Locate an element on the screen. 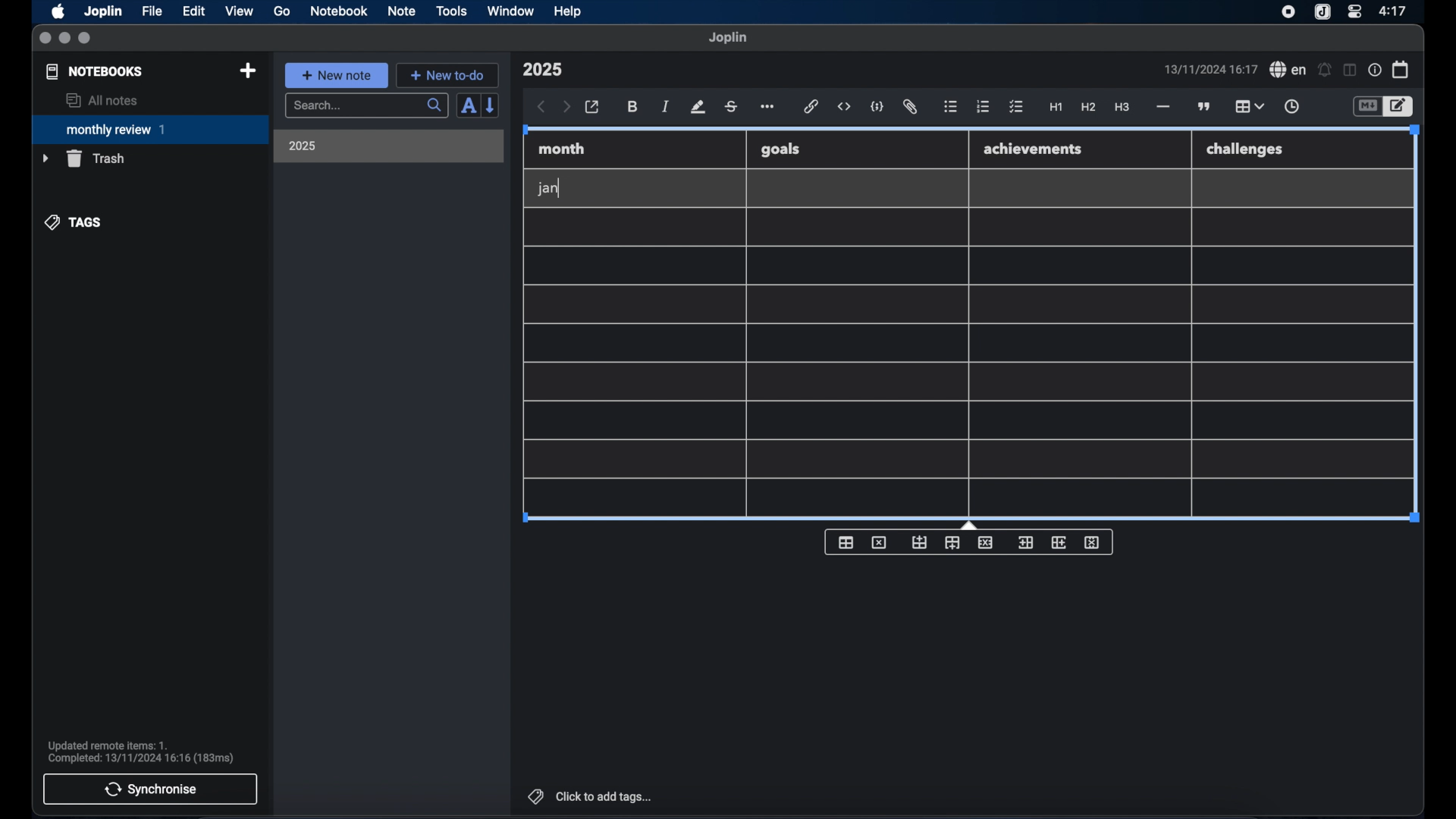  delete row is located at coordinates (987, 541).